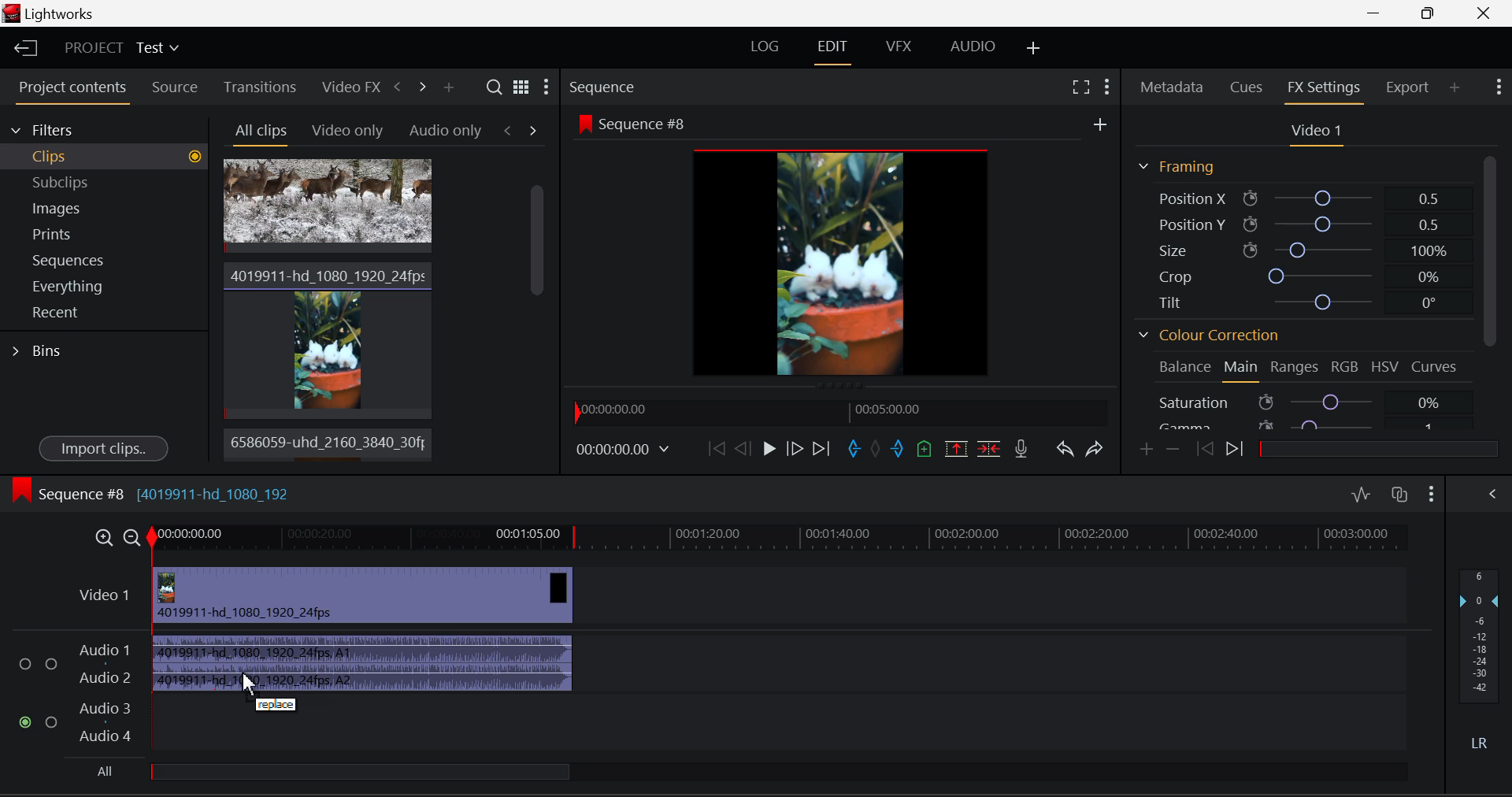  Describe the element at coordinates (259, 86) in the screenshot. I see `Transitions` at that location.